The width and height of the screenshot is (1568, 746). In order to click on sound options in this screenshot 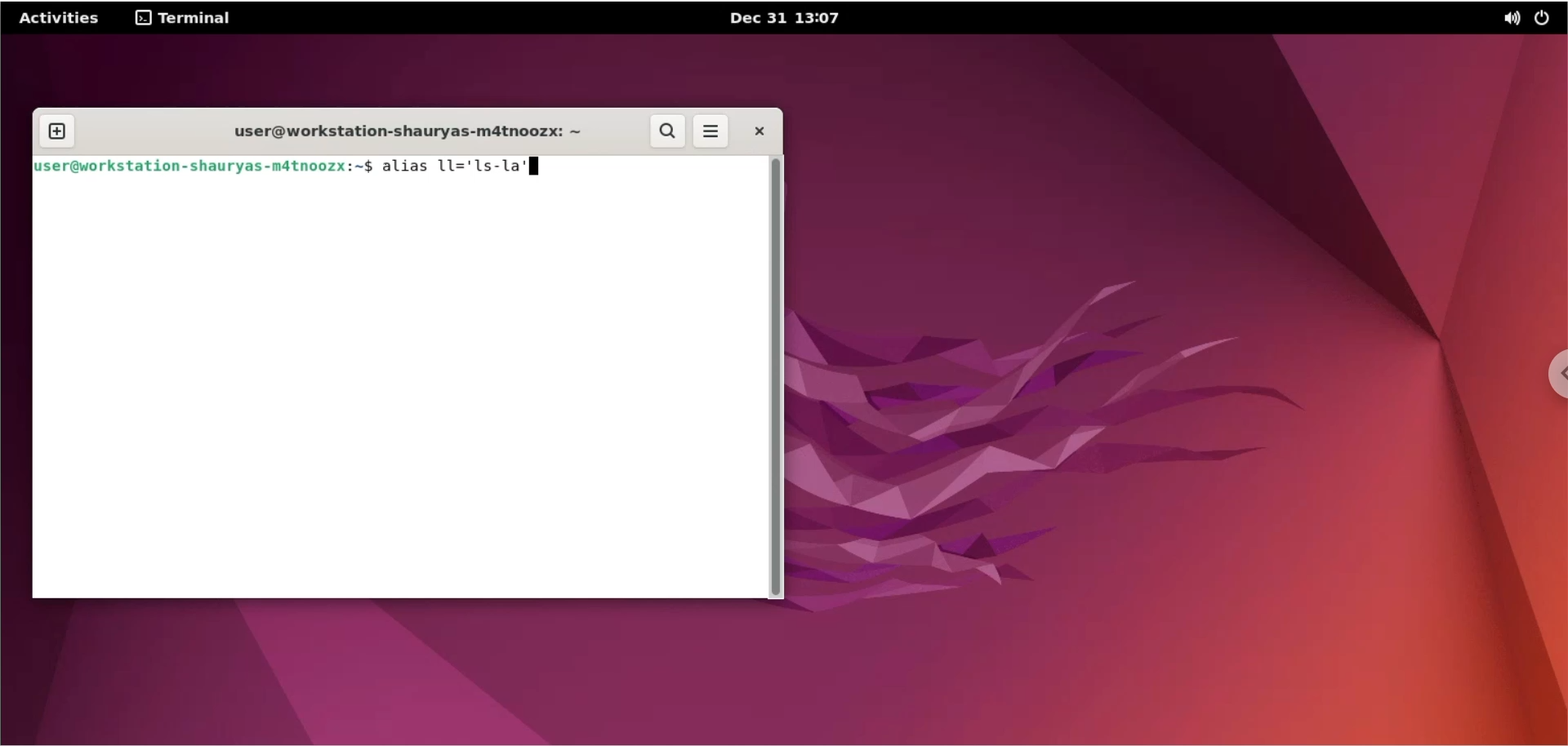, I will do `click(1511, 18)`.